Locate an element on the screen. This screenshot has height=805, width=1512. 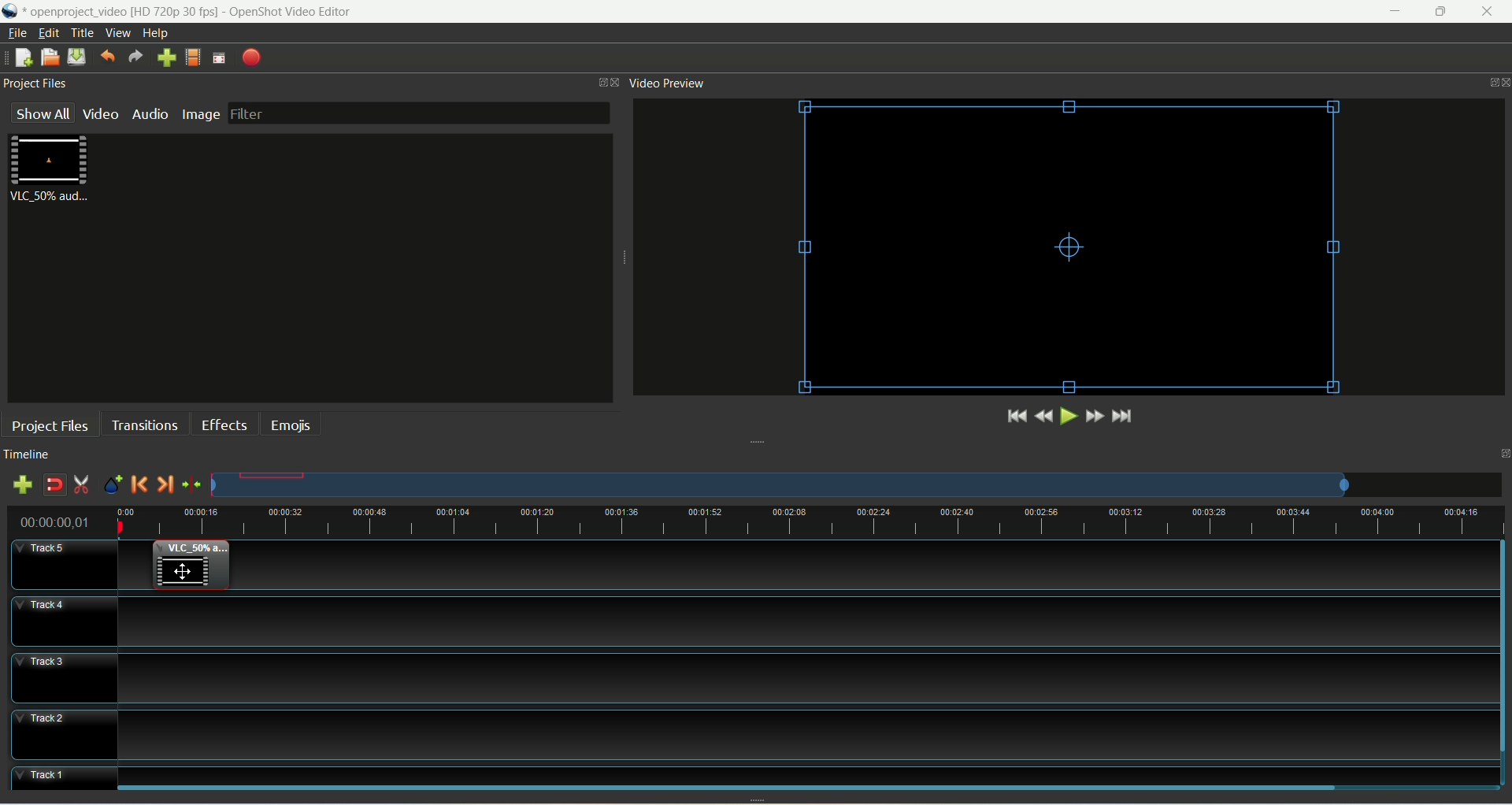
disable snapping is located at coordinates (54, 484).